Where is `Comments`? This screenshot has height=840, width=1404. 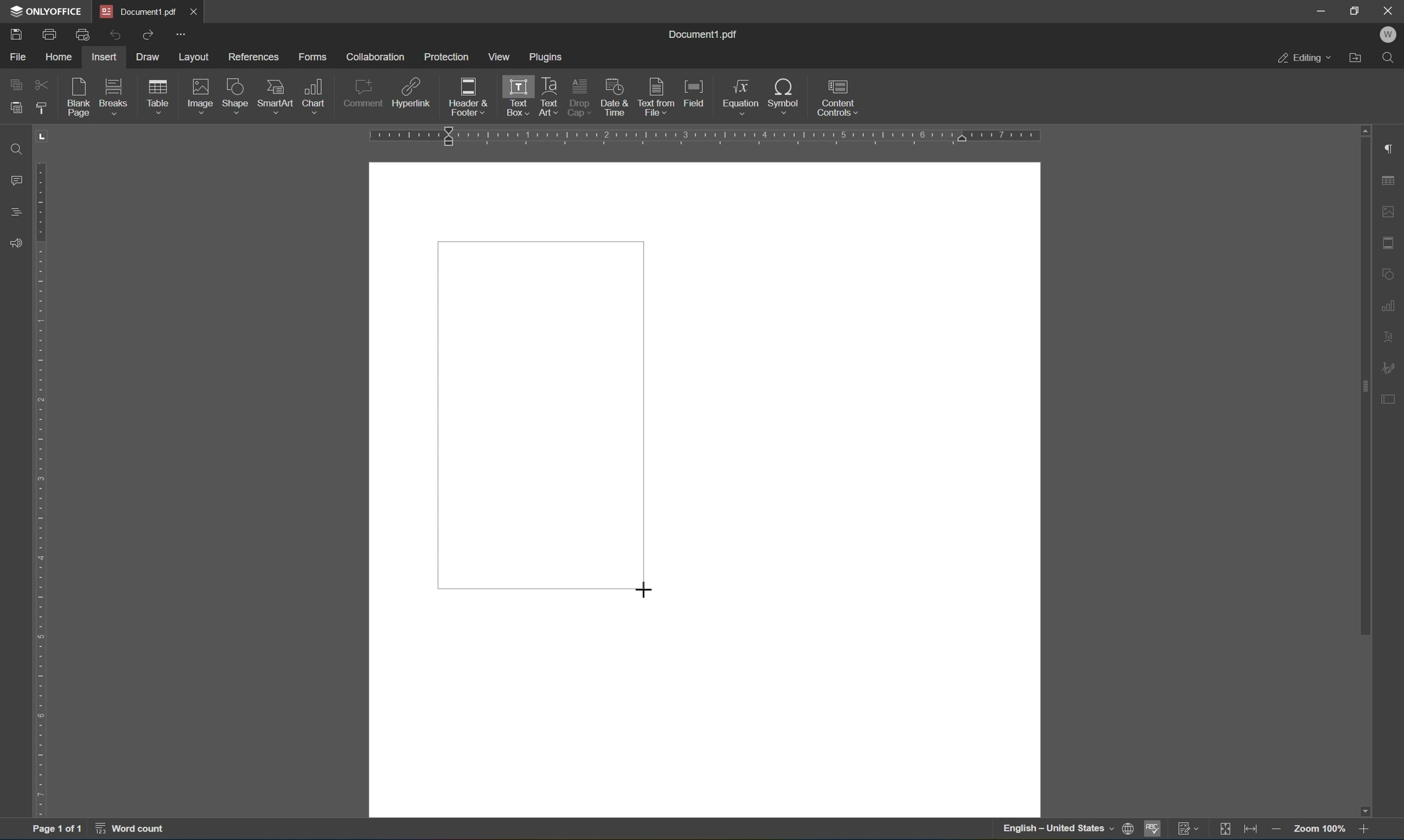
Comments is located at coordinates (19, 181).